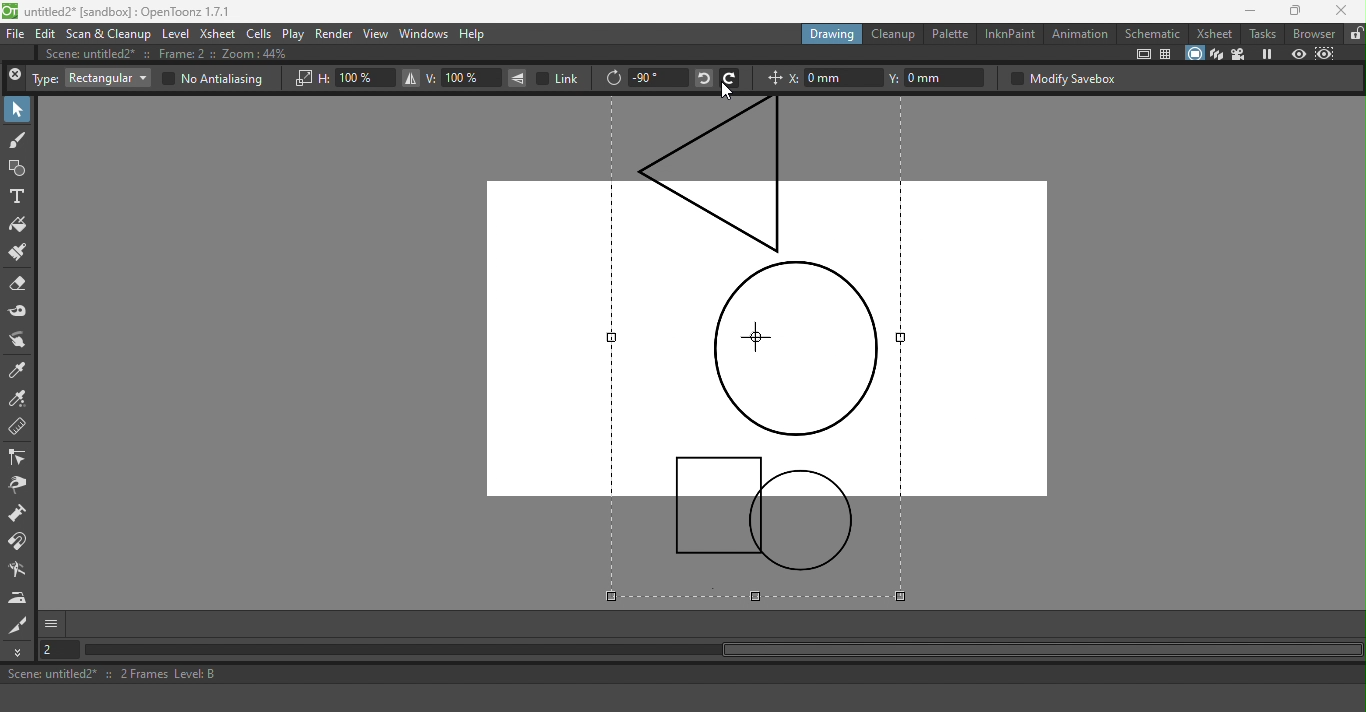 This screenshot has width=1366, height=712. Describe the element at coordinates (18, 141) in the screenshot. I see `Brush tool` at that location.